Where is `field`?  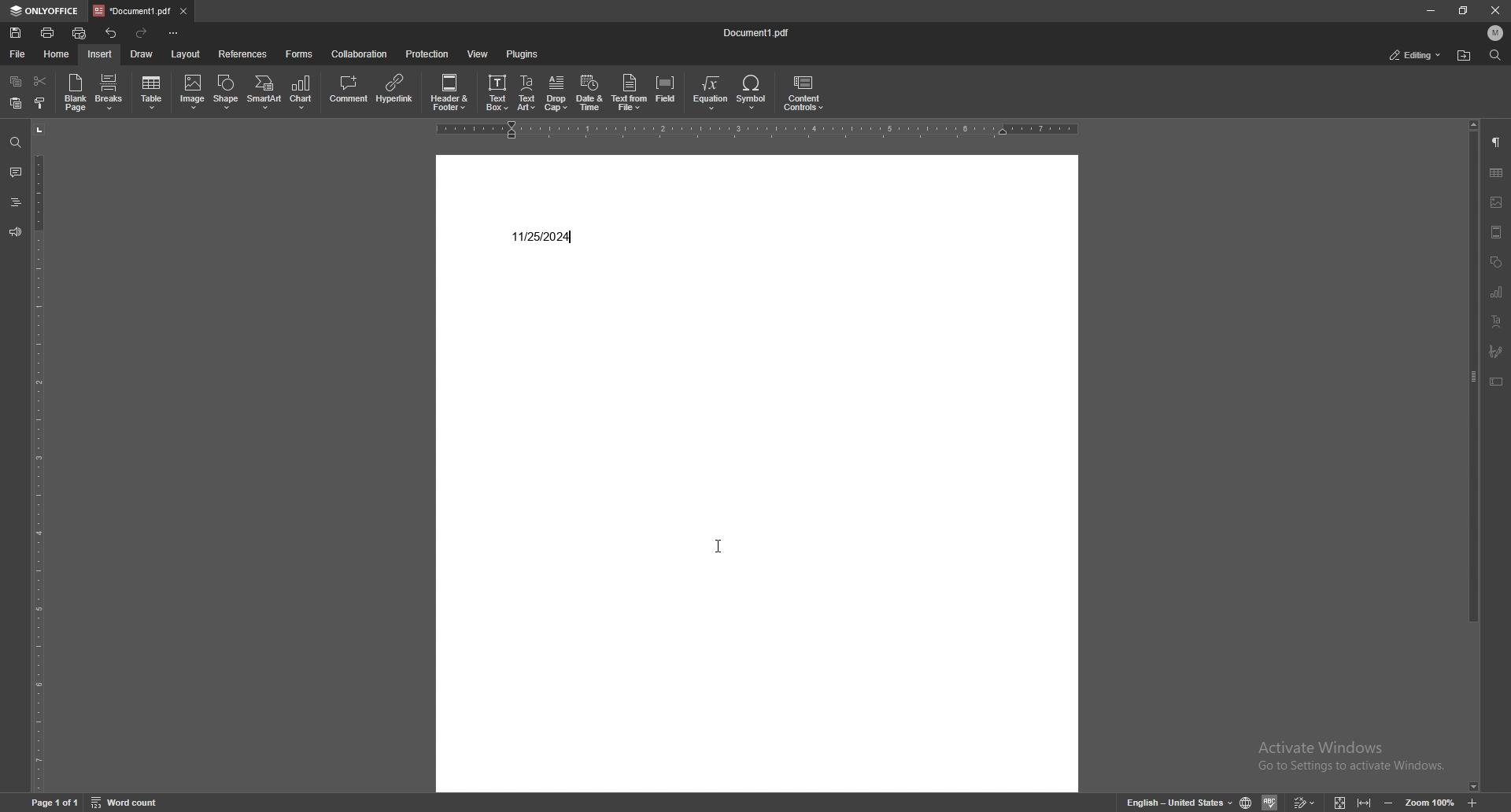 field is located at coordinates (665, 92).